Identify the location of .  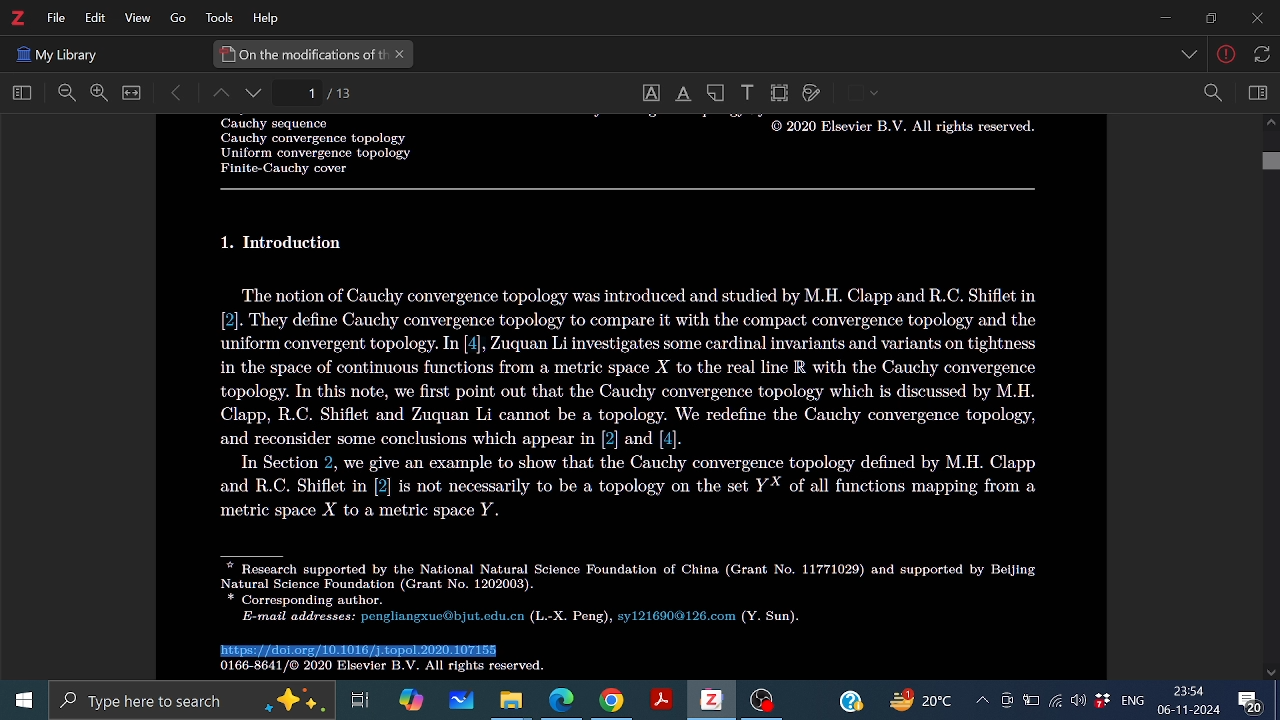
(629, 189).